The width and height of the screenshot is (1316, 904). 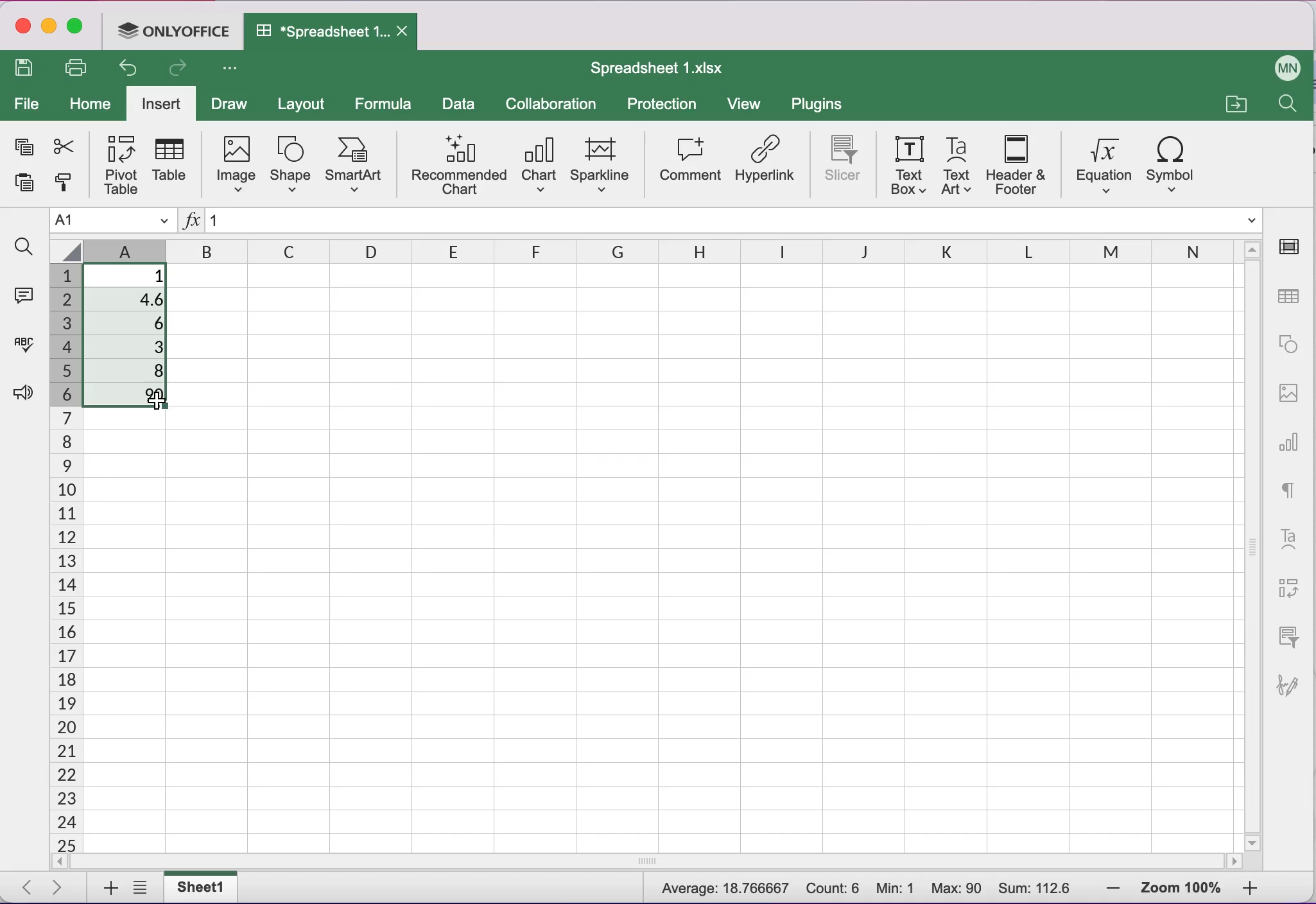 I want to click on Average: 18.766667, so click(x=719, y=890).